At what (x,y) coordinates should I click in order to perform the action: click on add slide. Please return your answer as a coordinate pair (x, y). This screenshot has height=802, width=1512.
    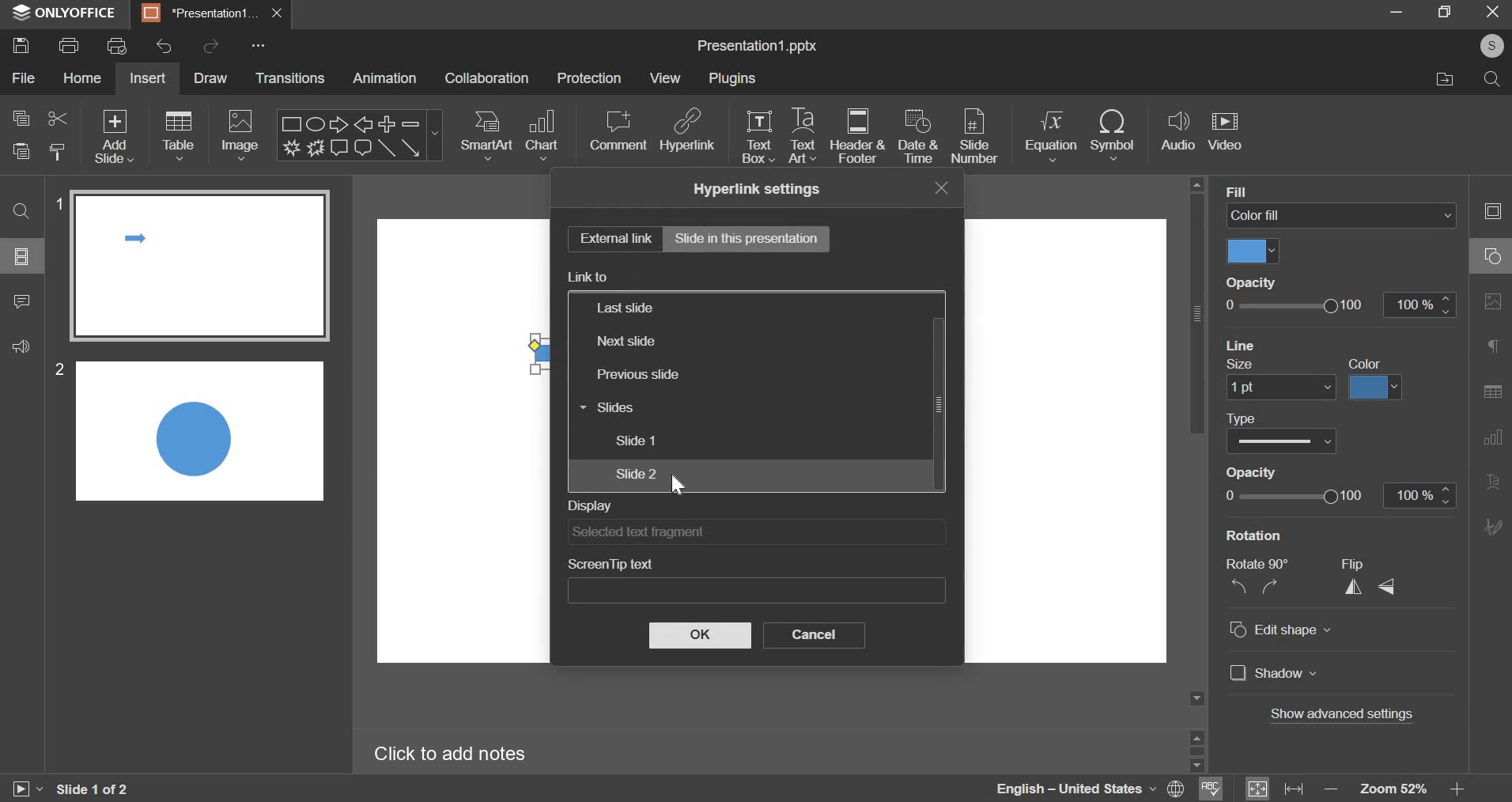
    Looking at the image, I should click on (115, 136).